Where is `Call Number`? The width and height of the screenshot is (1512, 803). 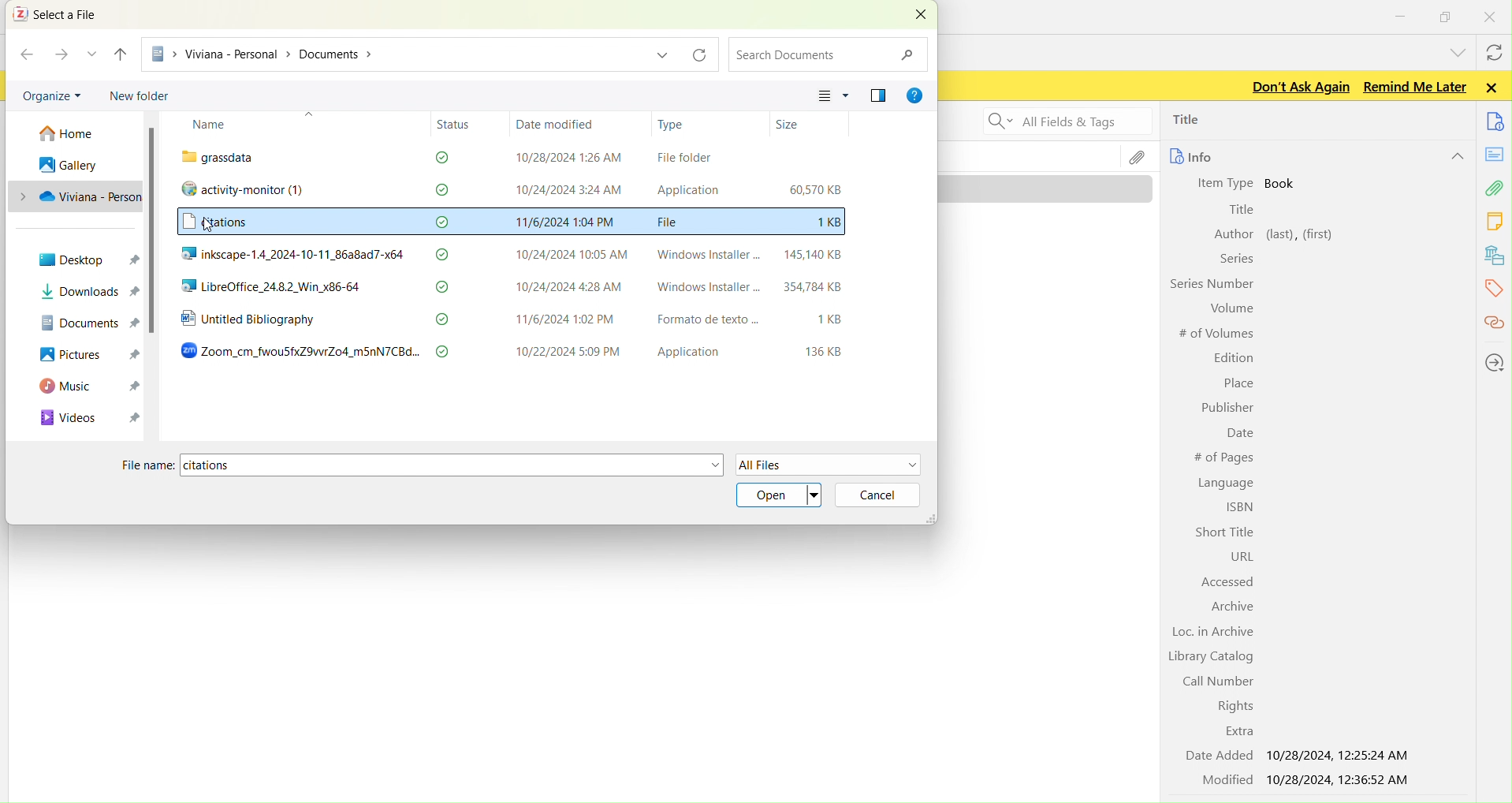
Call Number is located at coordinates (1220, 680).